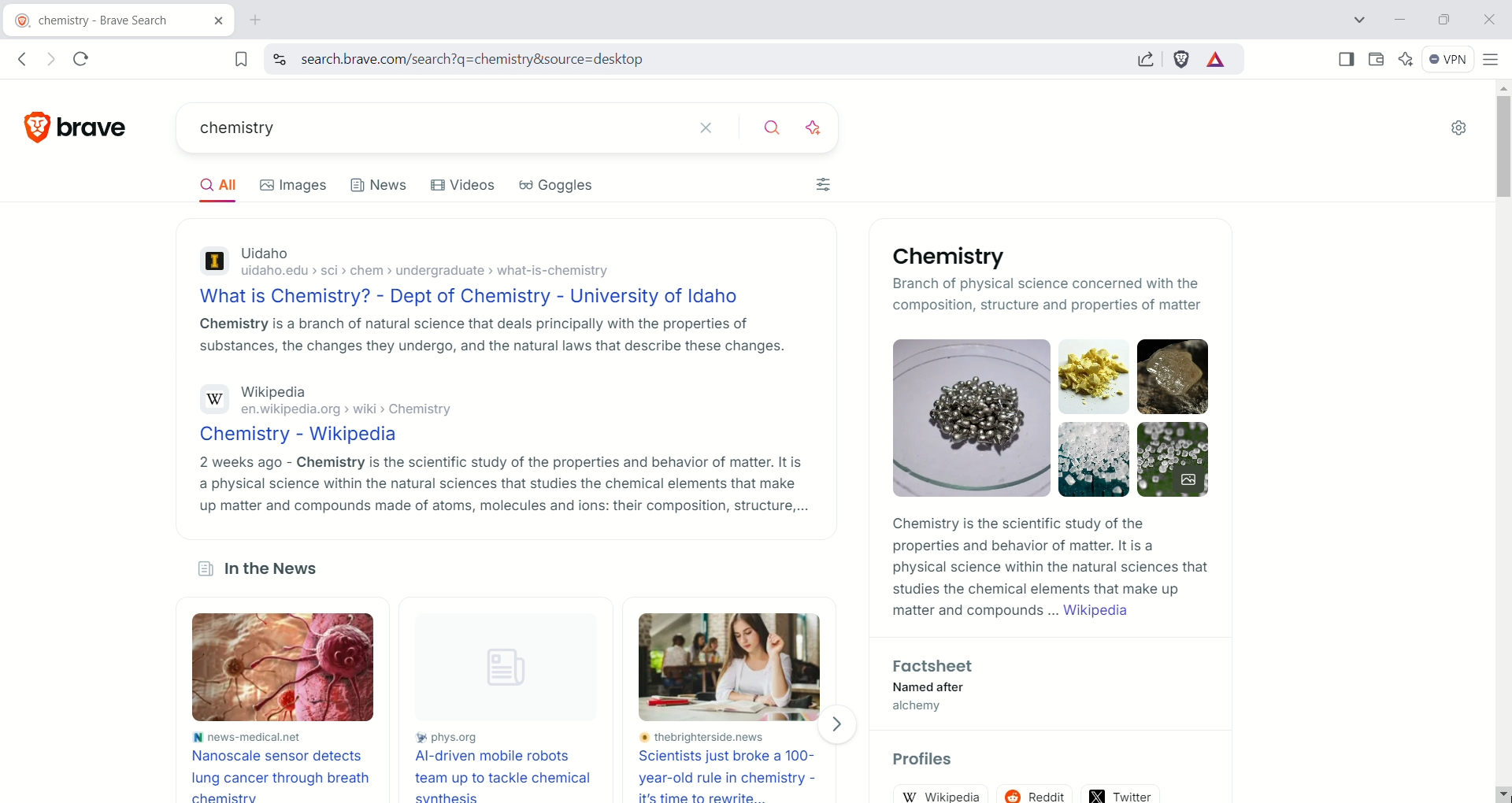  Describe the element at coordinates (943, 257) in the screenshot. I see `Chemistry` at that location.